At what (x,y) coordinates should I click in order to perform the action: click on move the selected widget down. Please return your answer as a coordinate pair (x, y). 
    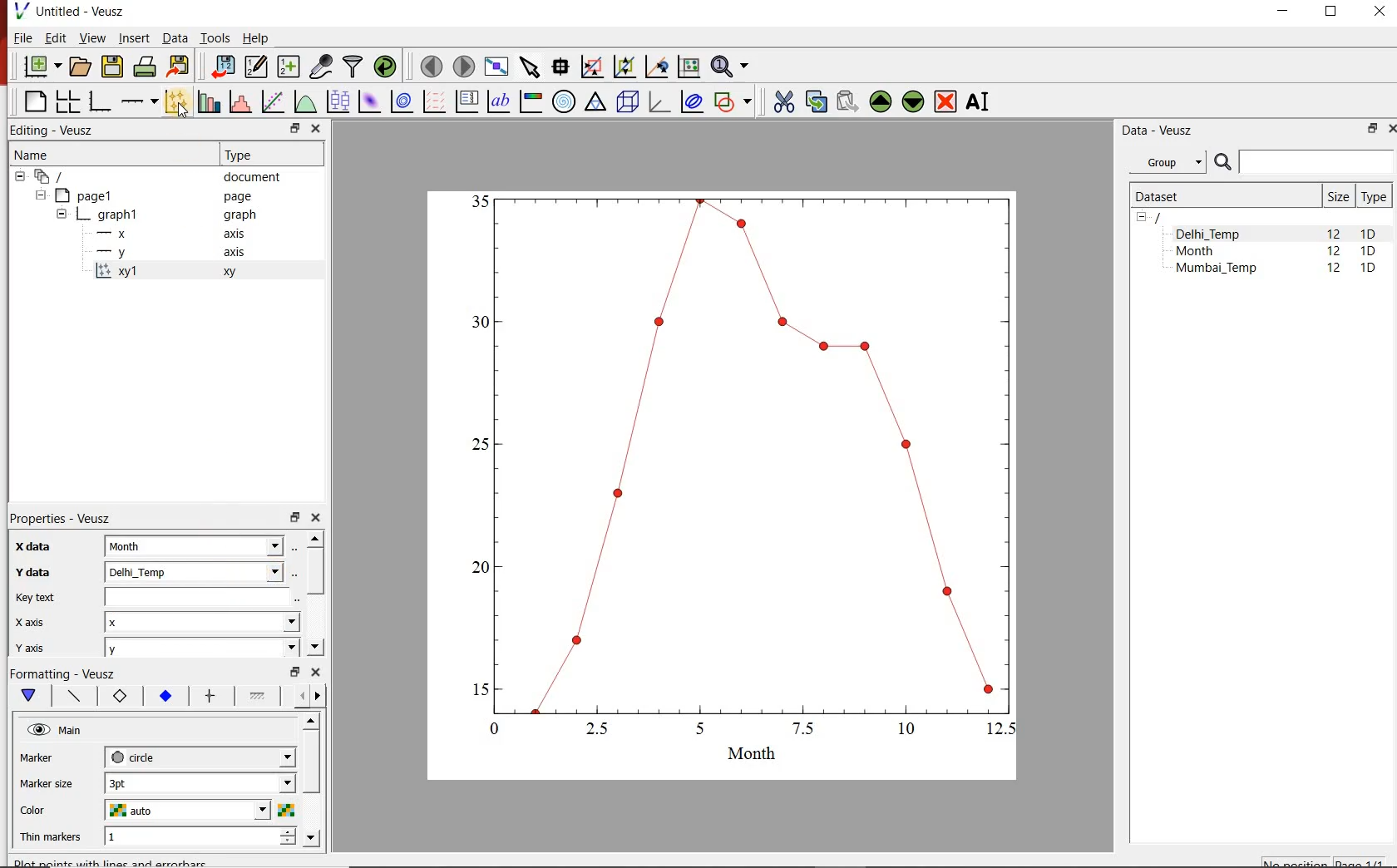
    Looking at the image, I should click on (913, 102).